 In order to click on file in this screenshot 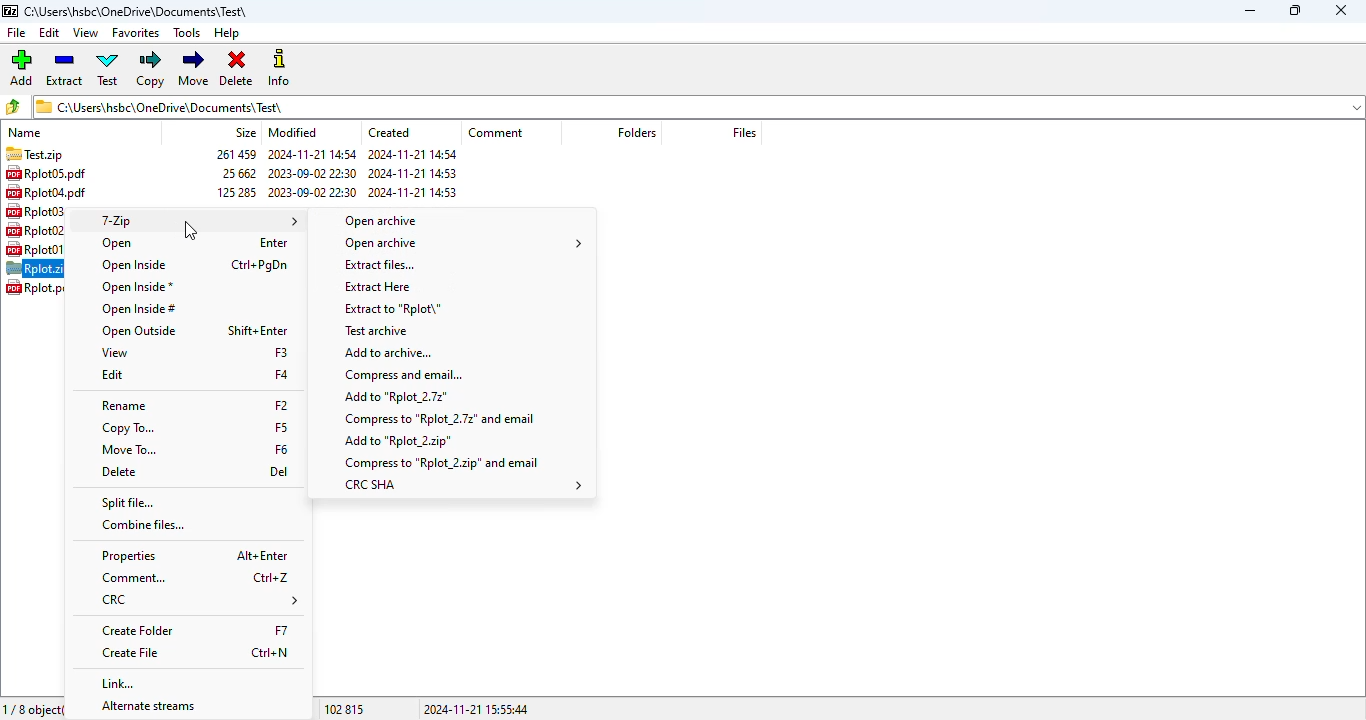, I will do `click(18, 33)`.